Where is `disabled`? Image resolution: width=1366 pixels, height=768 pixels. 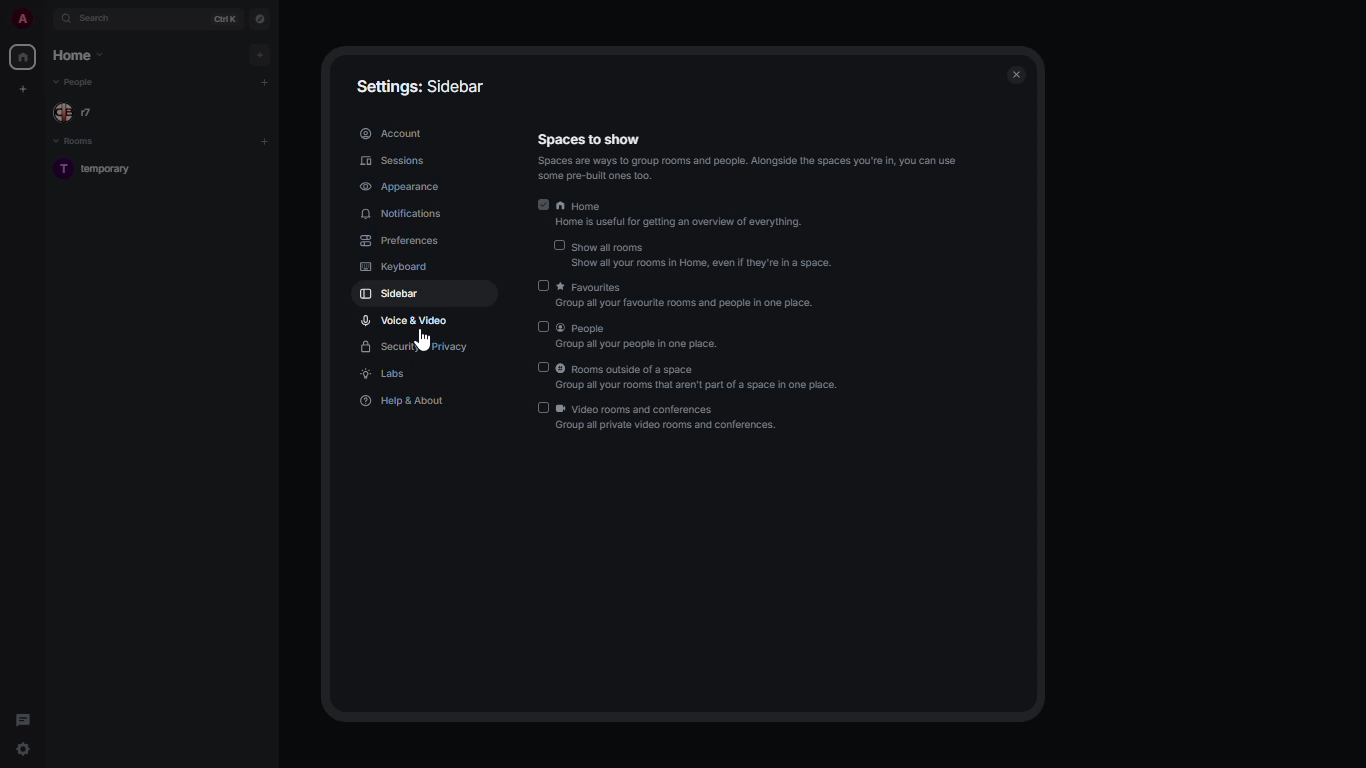 disabled is located at coordinates (543, 285).